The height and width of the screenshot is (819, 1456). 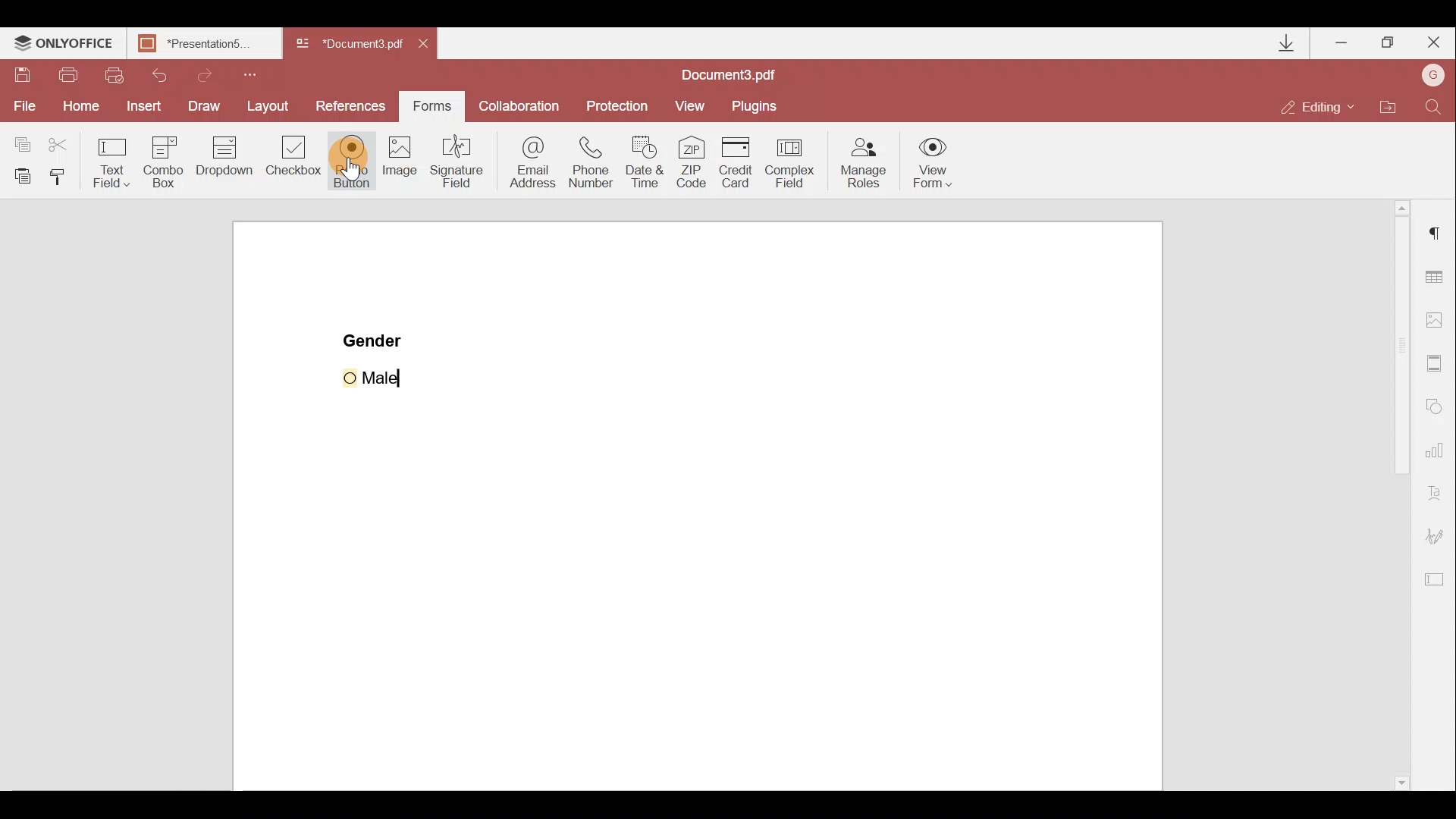 What do you see at coordinates (619, 102) in the screenshot?
I see `Protection` at bounding box center [619, 102].